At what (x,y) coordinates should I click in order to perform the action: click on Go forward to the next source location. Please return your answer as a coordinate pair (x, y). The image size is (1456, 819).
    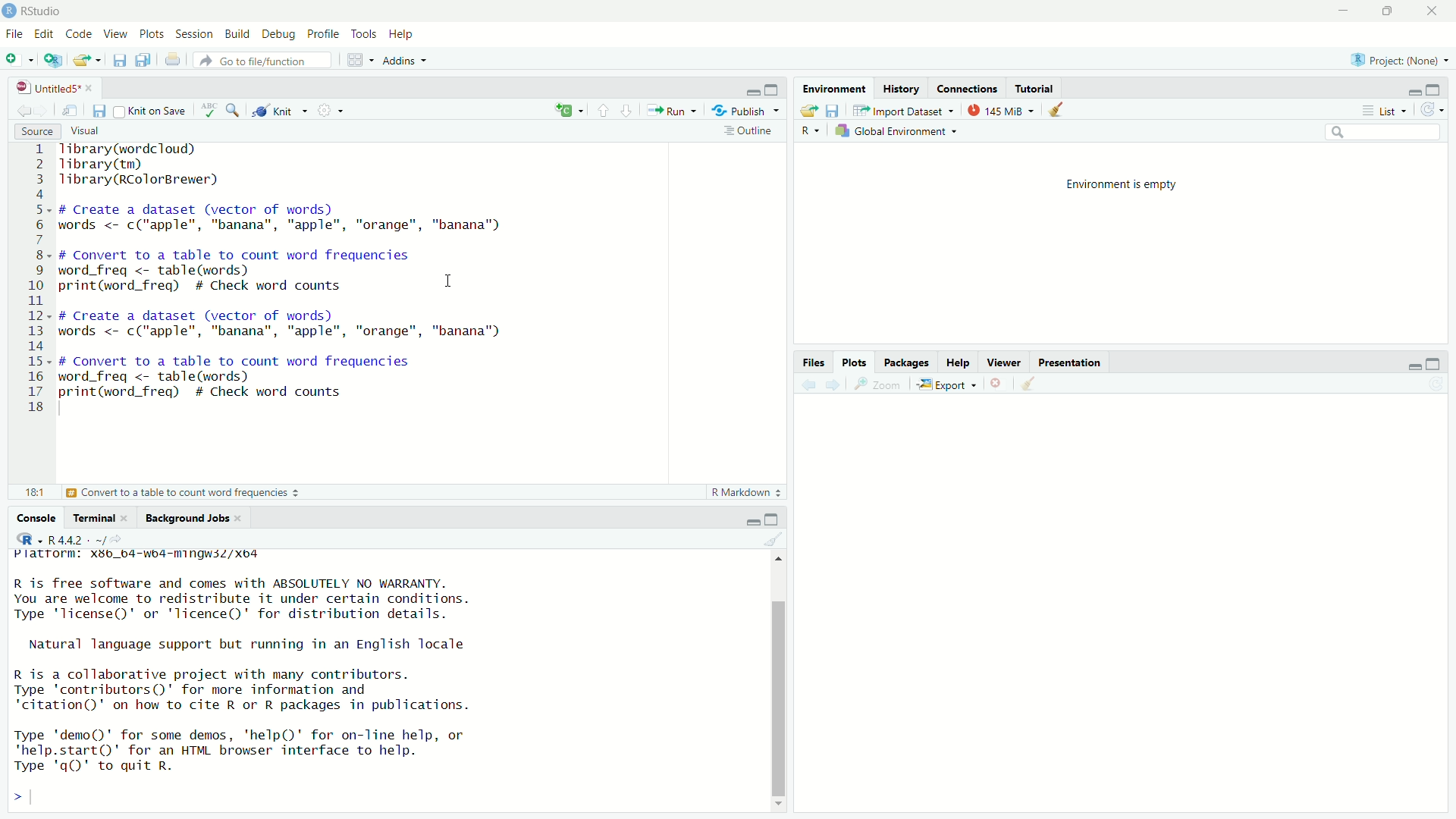
    Looking at the image, I should click on (45, 111).